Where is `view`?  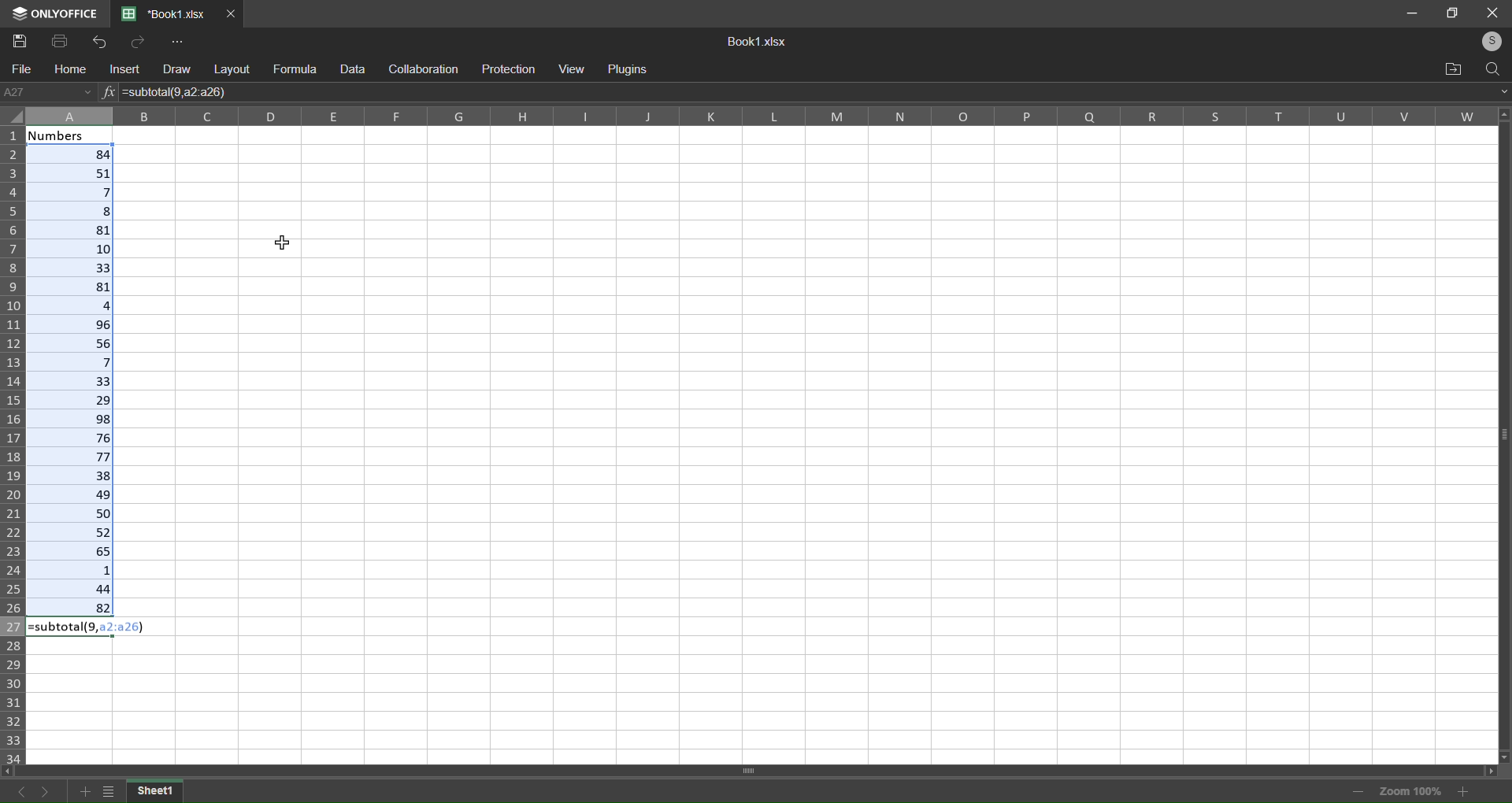
view is located at coordinates (570, 71).